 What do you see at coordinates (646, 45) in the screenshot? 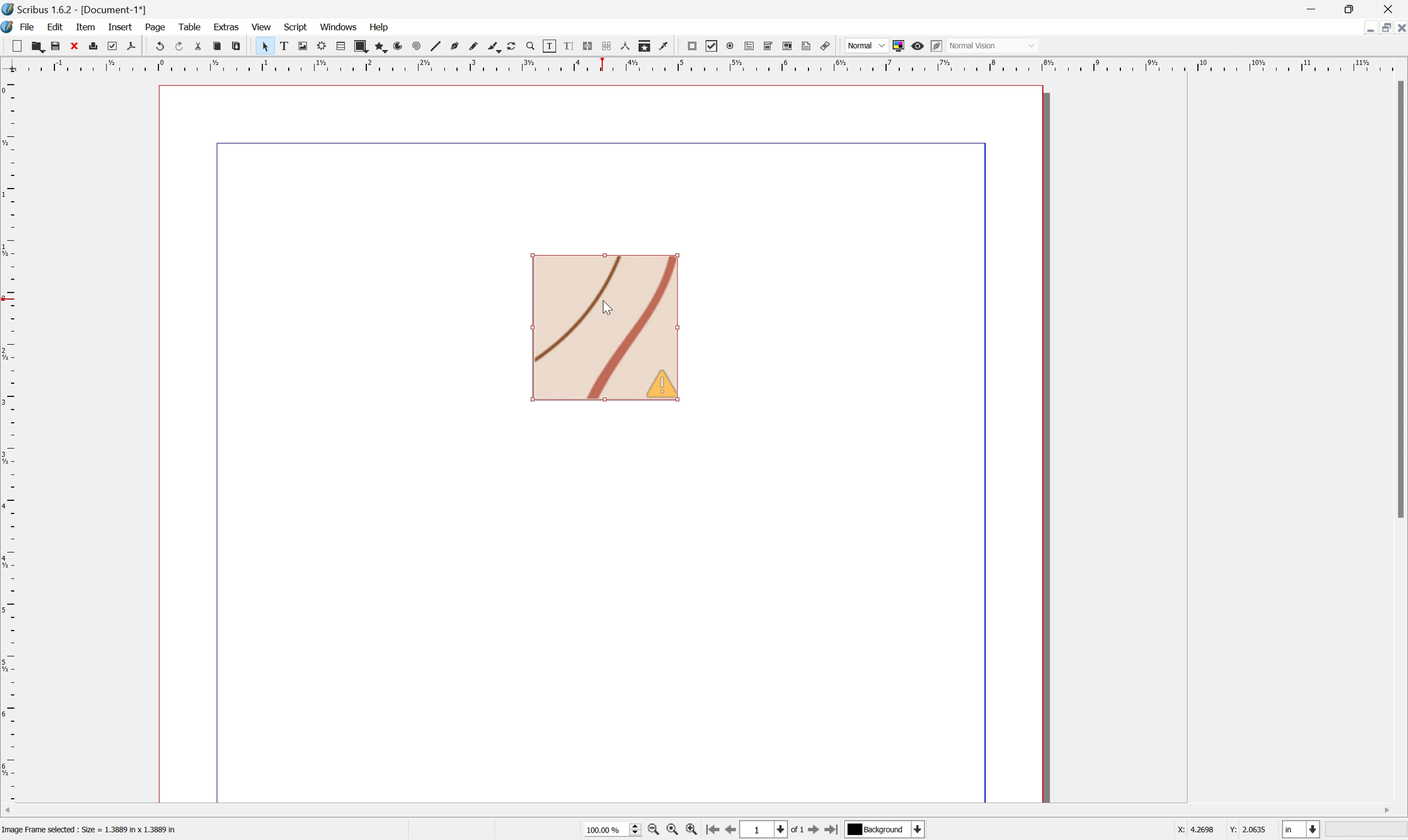
I see `Copy item properties` at bounding box center [646, 45].